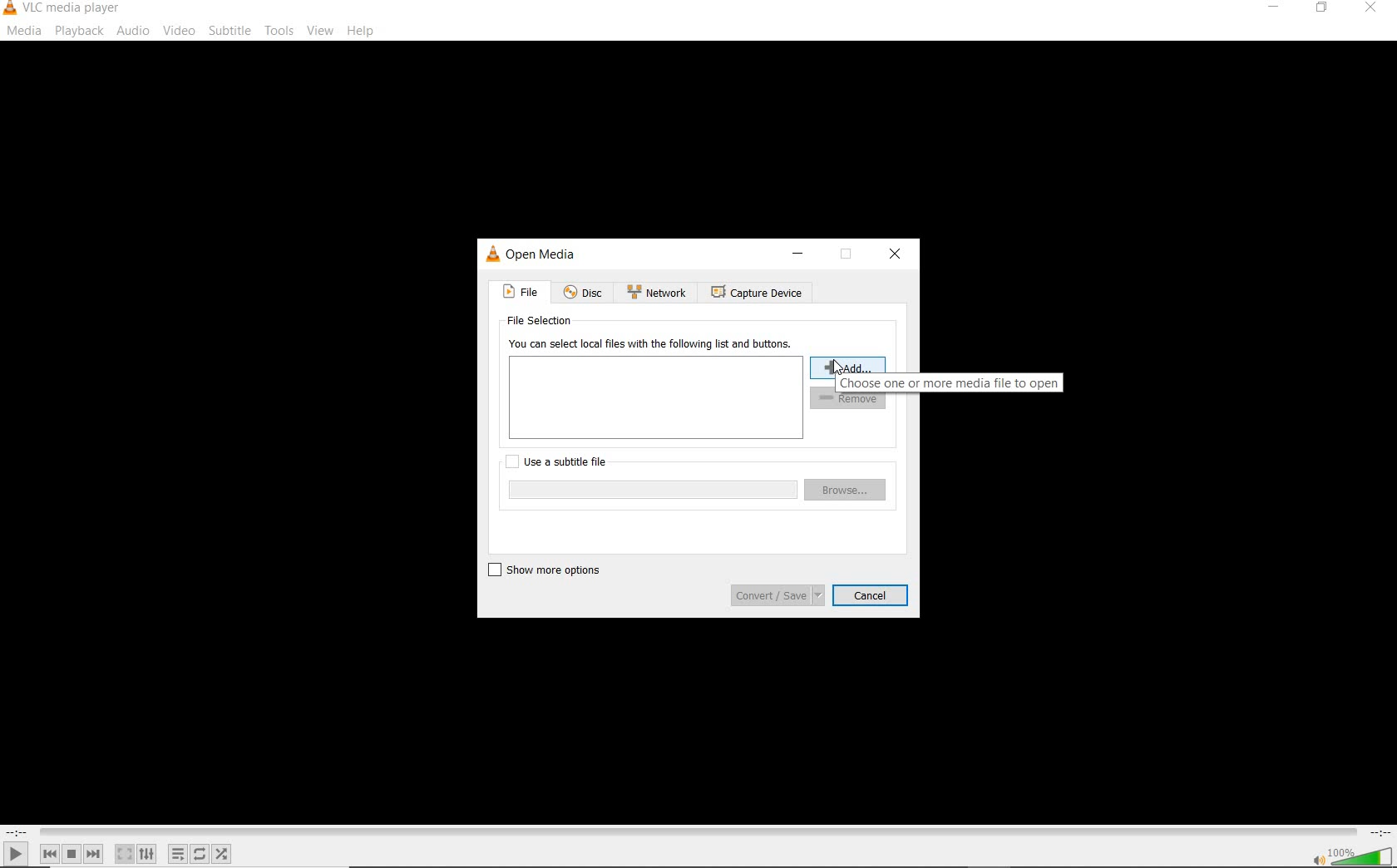  What do you see at coordinates (221, 854) in the screenshot?
I see `random` at bounding box center [221, 854].